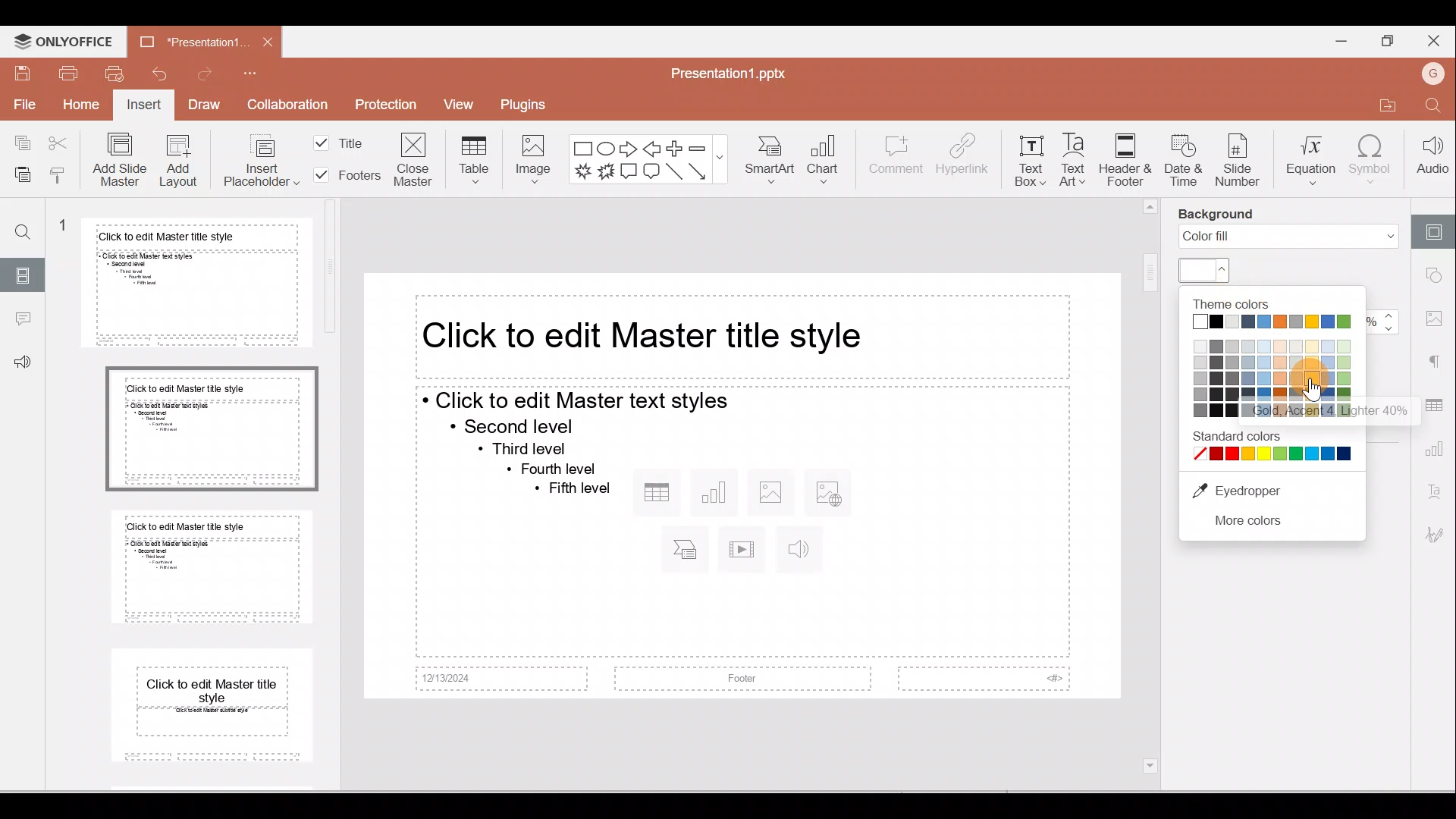 The height and width of the screenshot is (819, 1456). What do you see at coordinates (118, 160) in the screenshot?
I see `Add slide master` at bounding box center [118, 160].